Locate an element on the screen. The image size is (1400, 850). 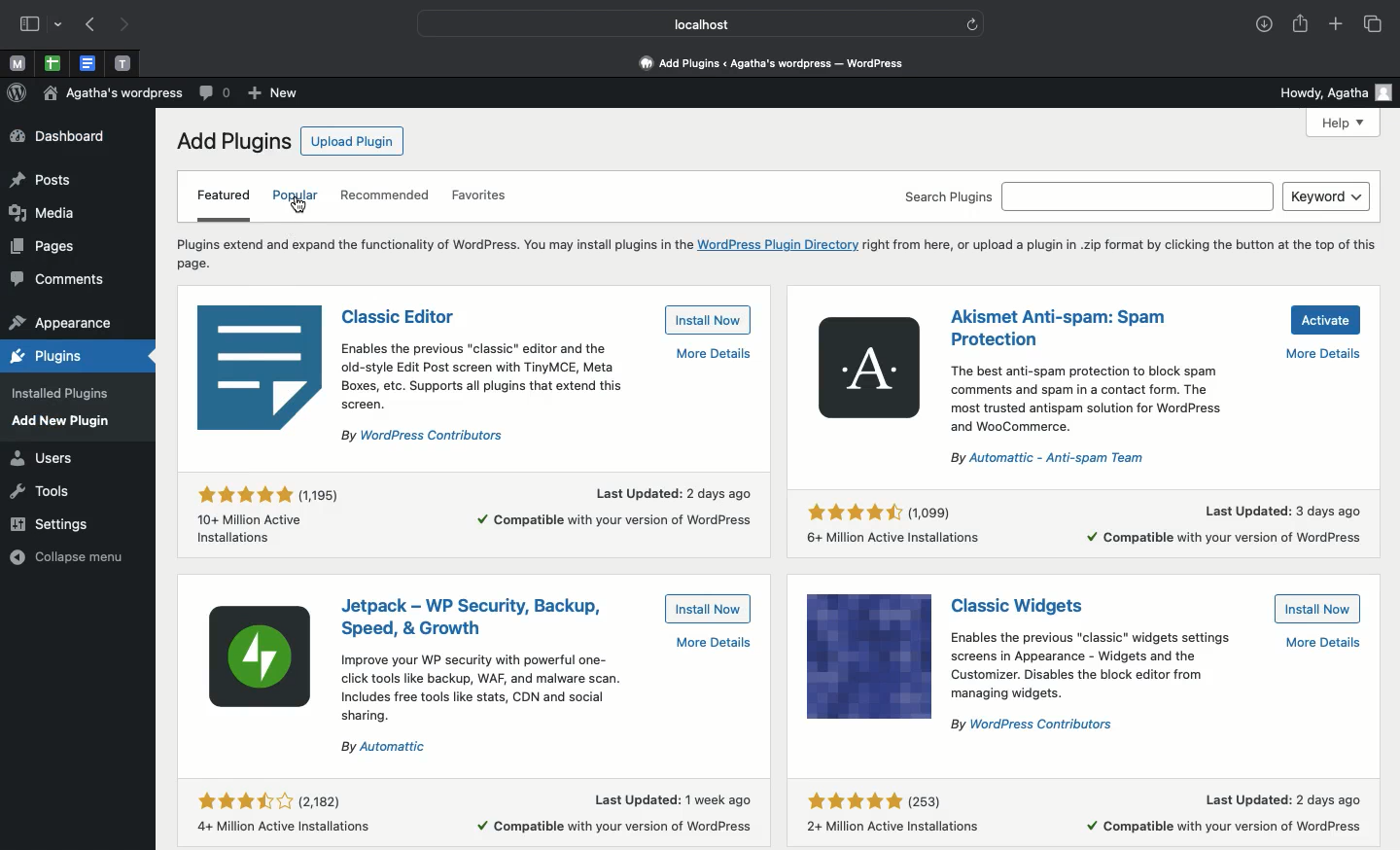
Activate is located at coordinates (1323, 320).